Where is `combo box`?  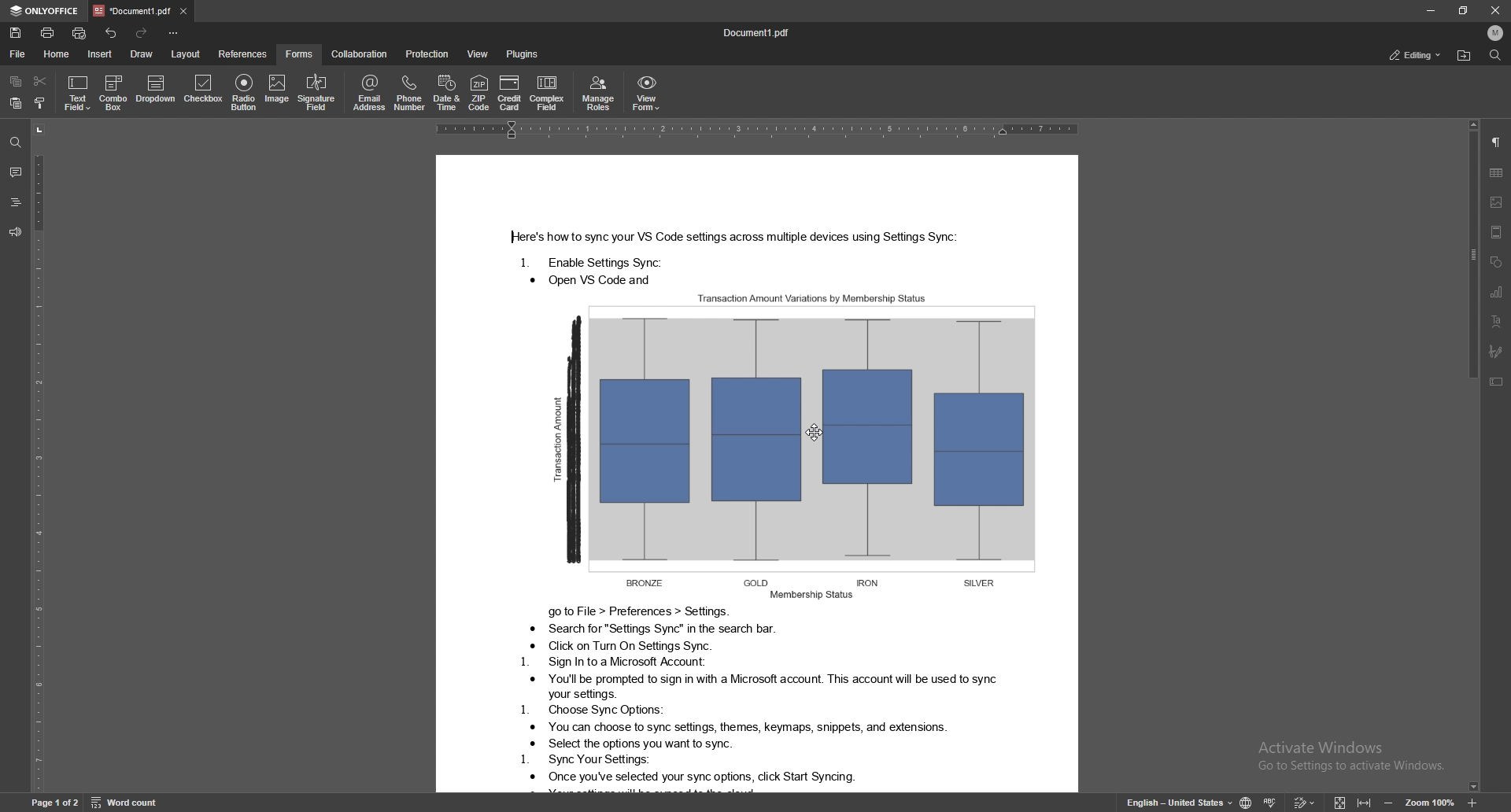 combo box is located at coordinates (113, 92).